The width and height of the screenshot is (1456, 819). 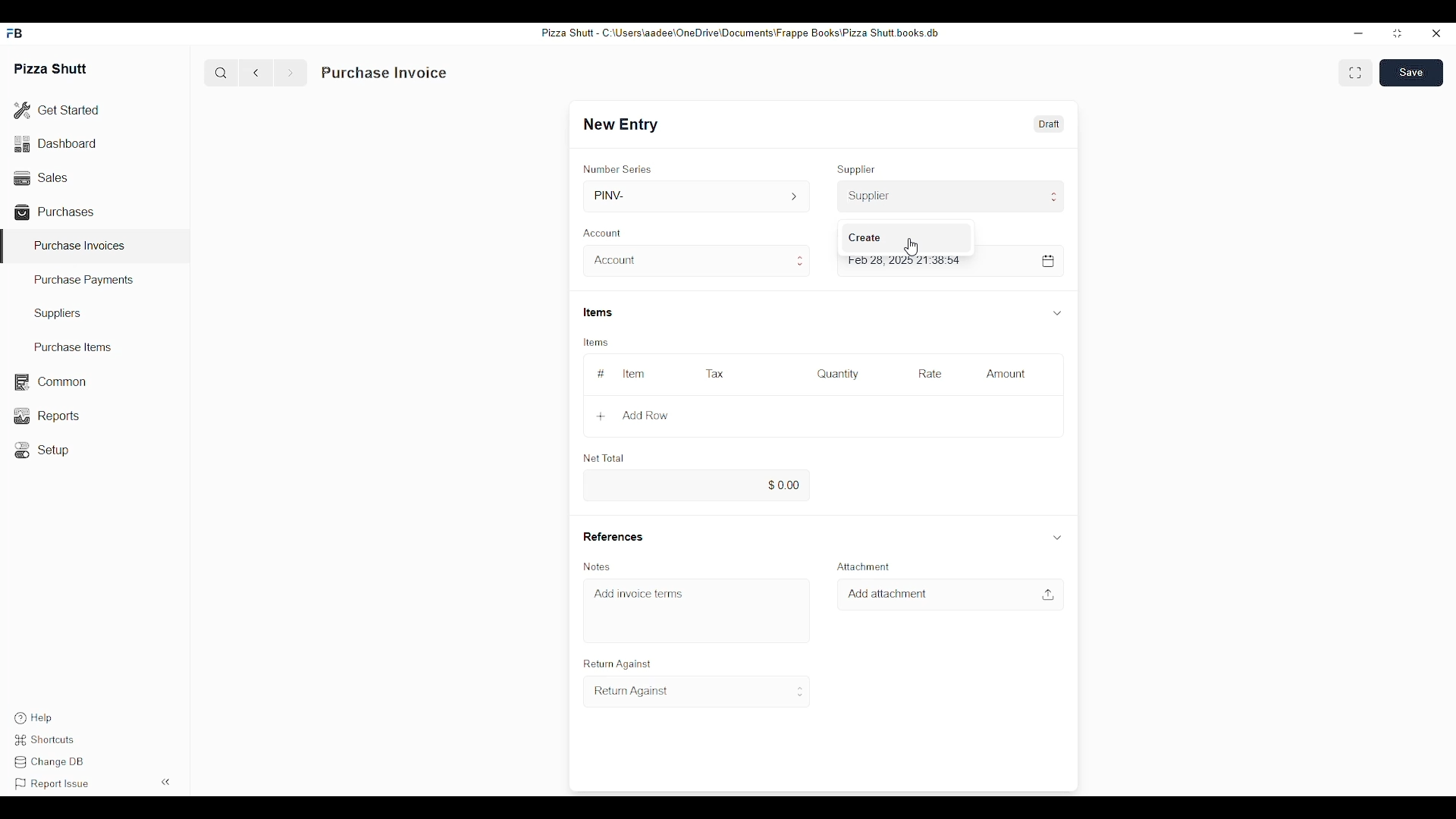 I want to click on Add attachment, so click(x=890, y=594).